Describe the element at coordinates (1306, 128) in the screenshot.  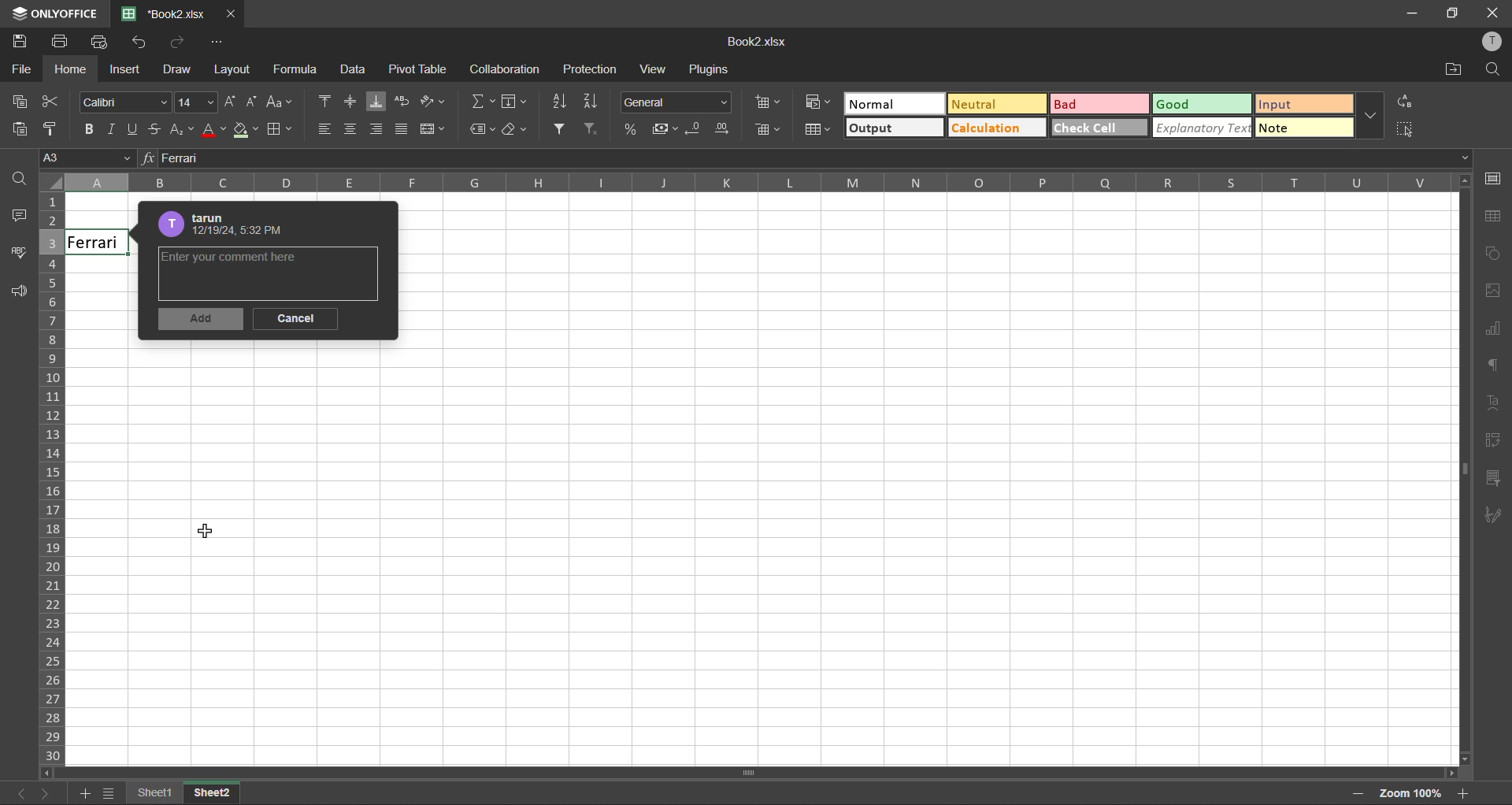
I see `note` at that location.